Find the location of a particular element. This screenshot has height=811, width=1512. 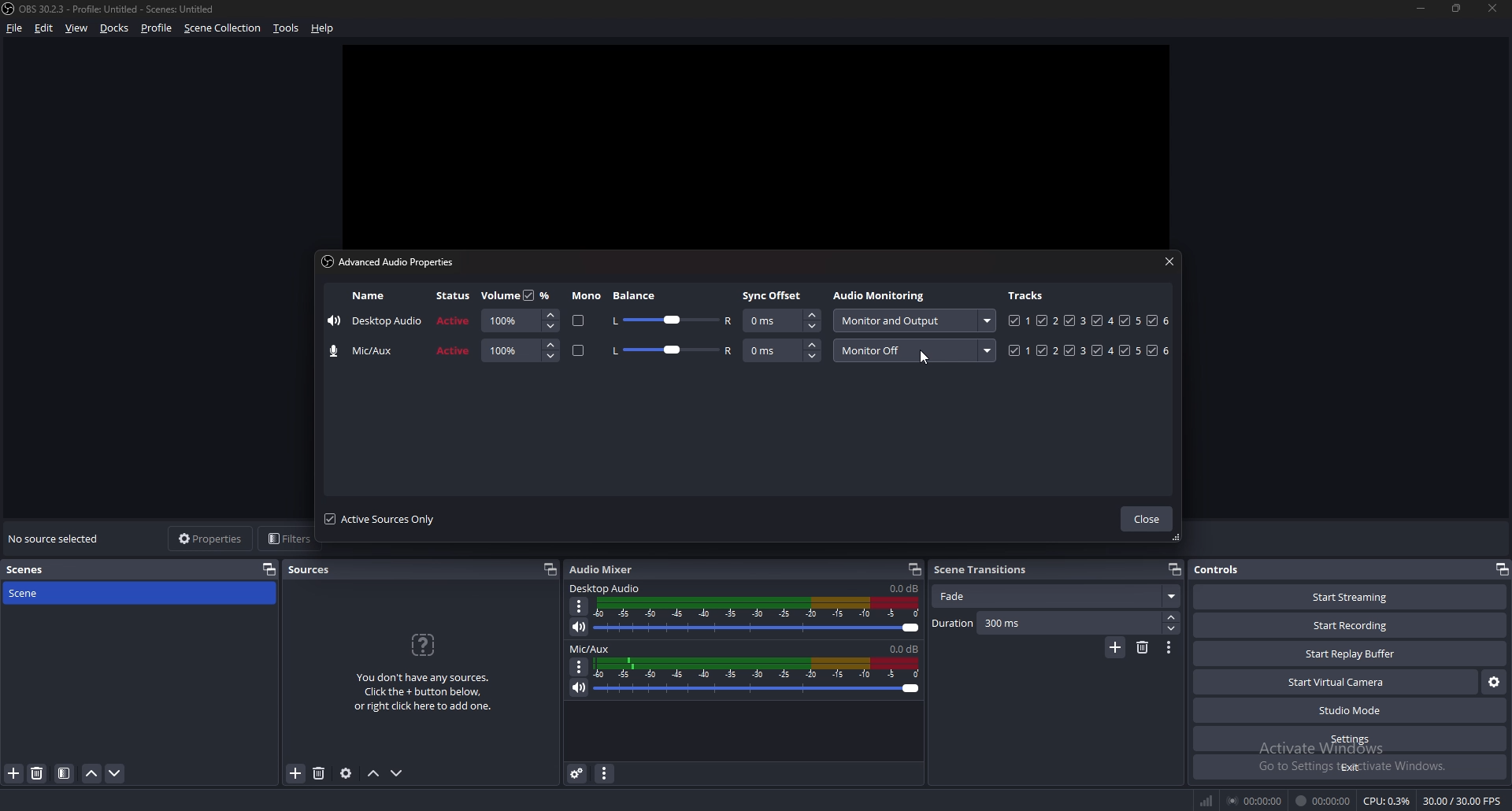

volume adjust is located at coordinates (758, 676).